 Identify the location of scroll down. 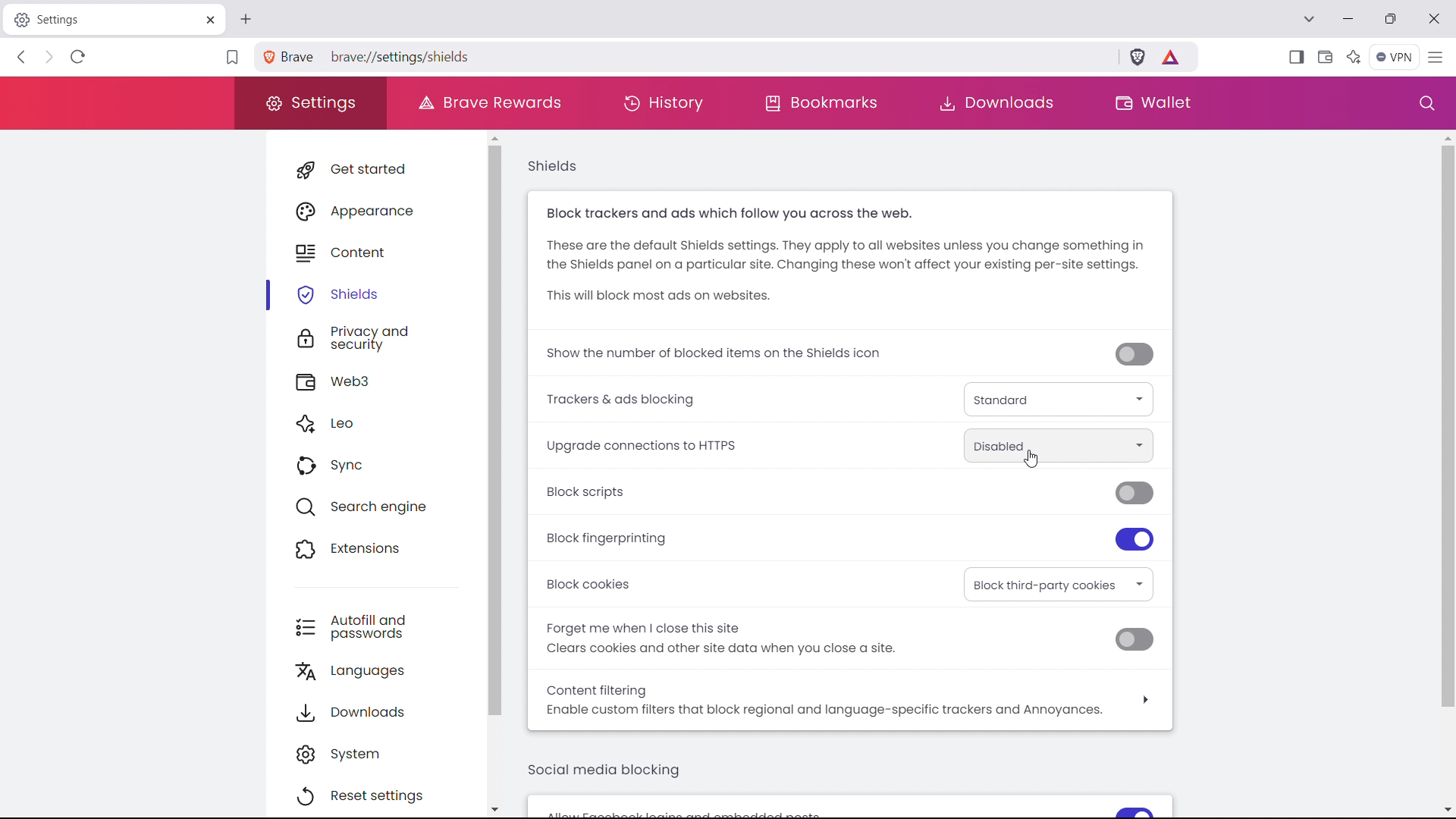
(497, 808).